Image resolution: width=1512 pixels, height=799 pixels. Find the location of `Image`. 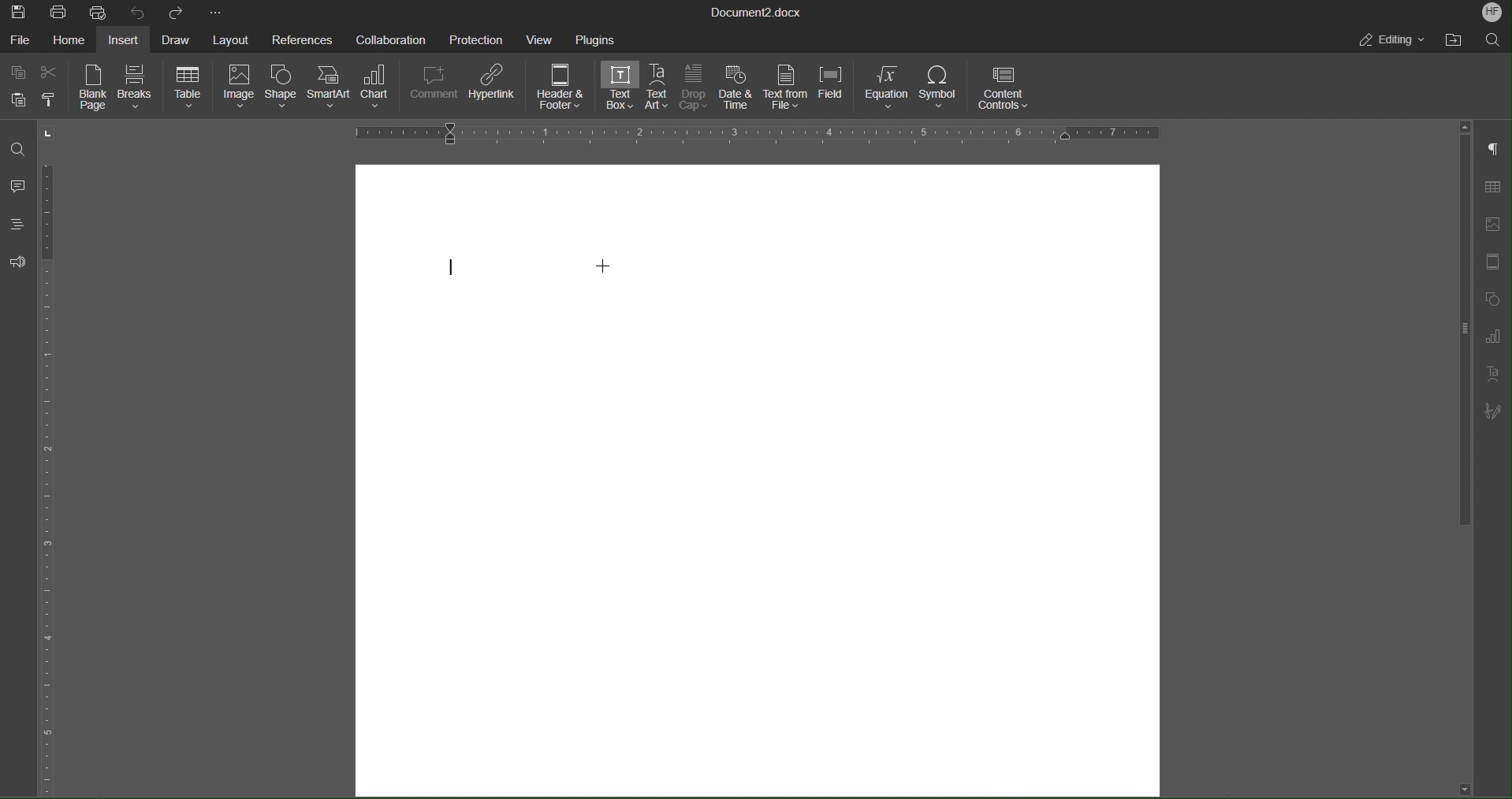

Image is located at coordinates (238, 89).